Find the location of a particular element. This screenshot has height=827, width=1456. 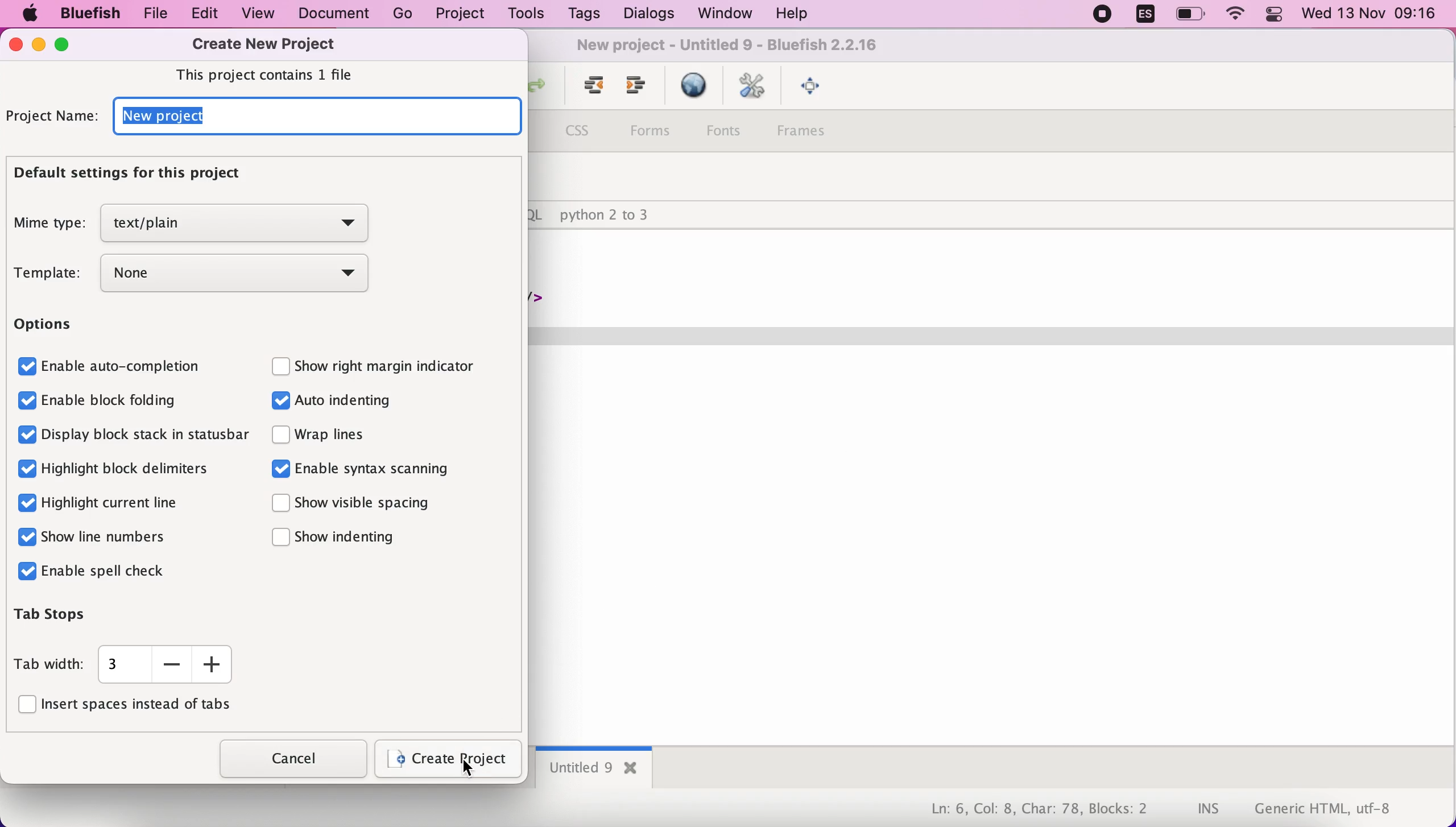

create projects is located at coordinates (447, 760).